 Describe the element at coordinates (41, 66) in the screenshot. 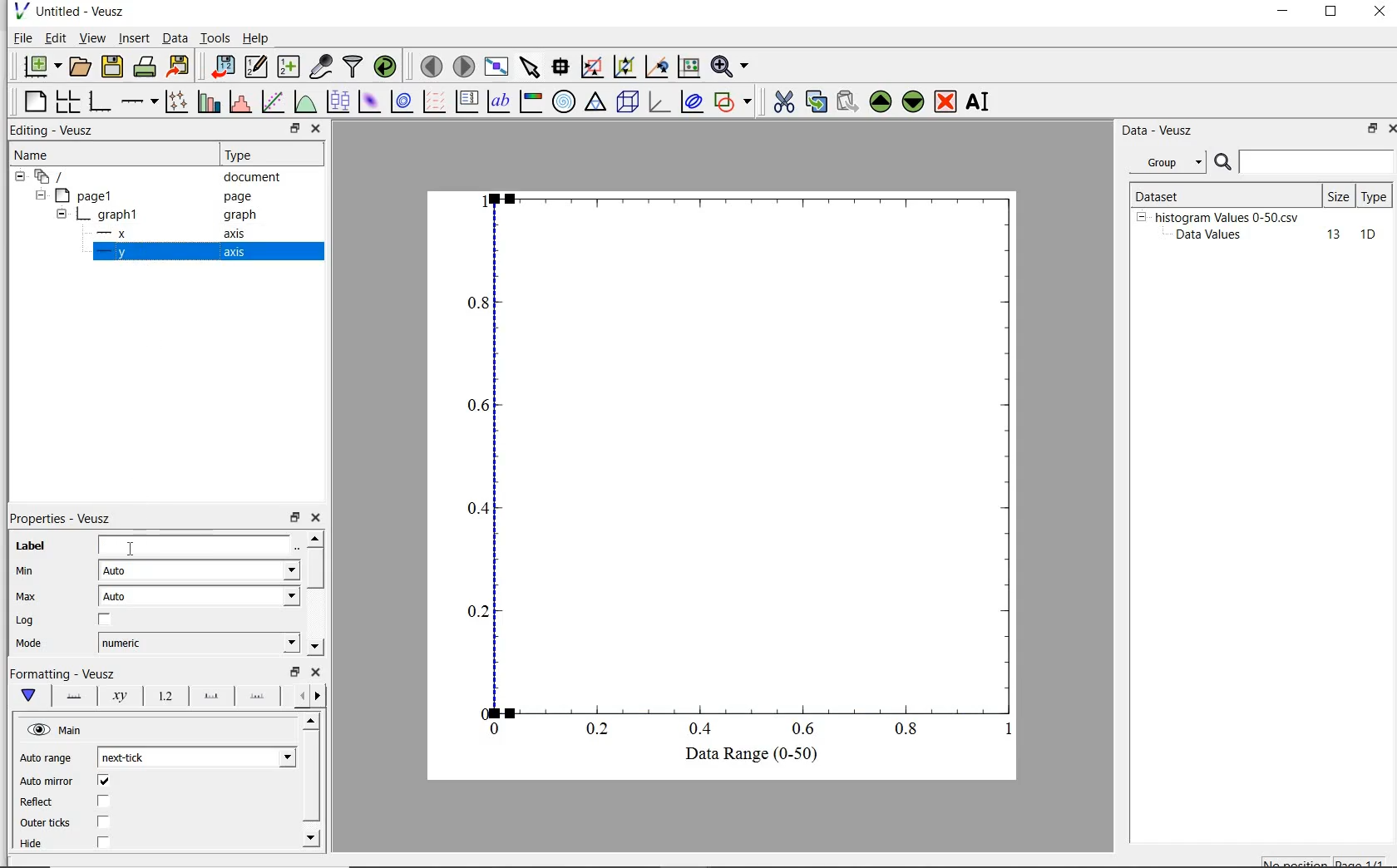

I see `new document` at that location.